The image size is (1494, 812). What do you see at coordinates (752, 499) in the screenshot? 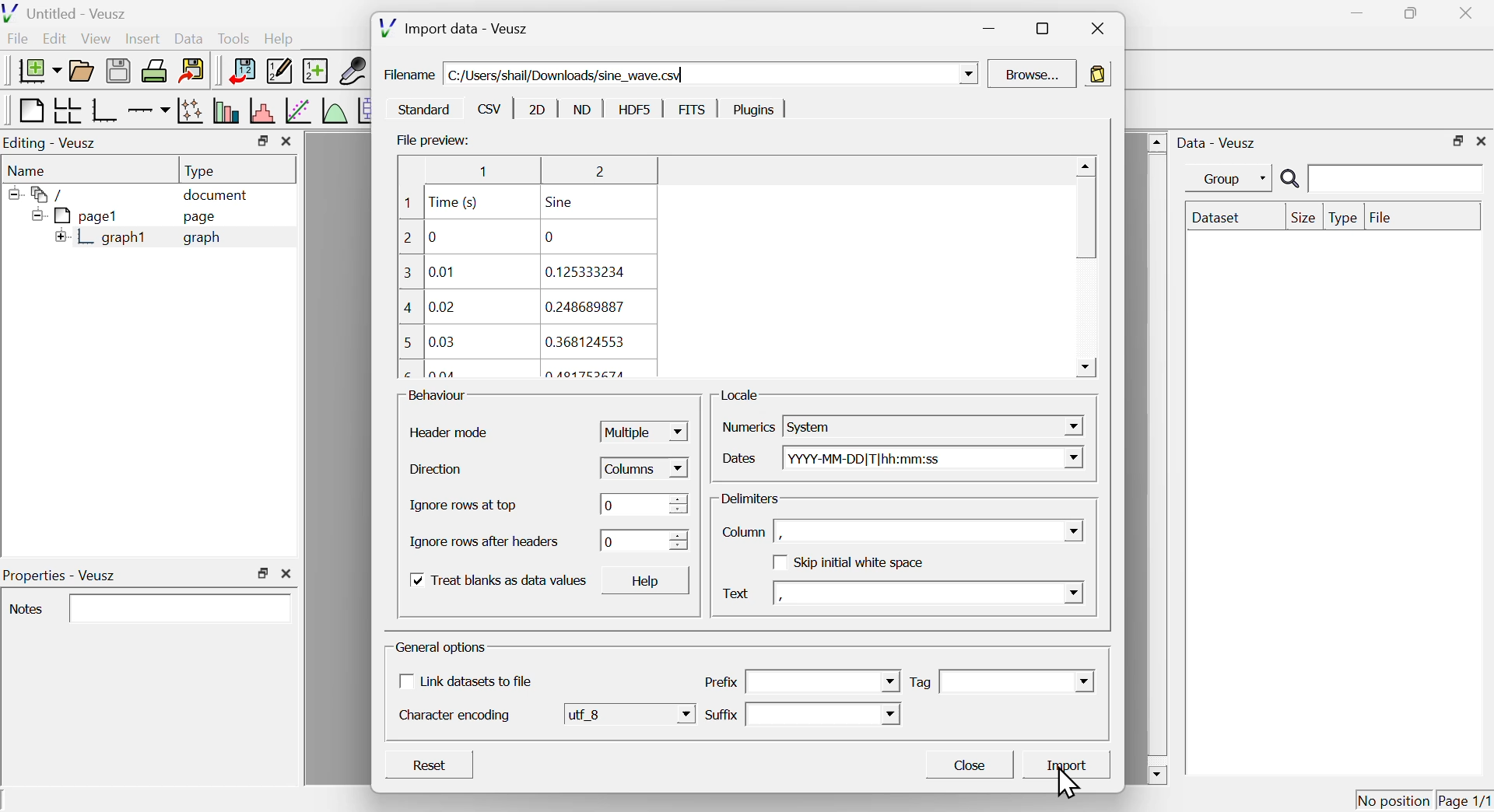
I see `Delimiters ` at bounding box center [752, 499].